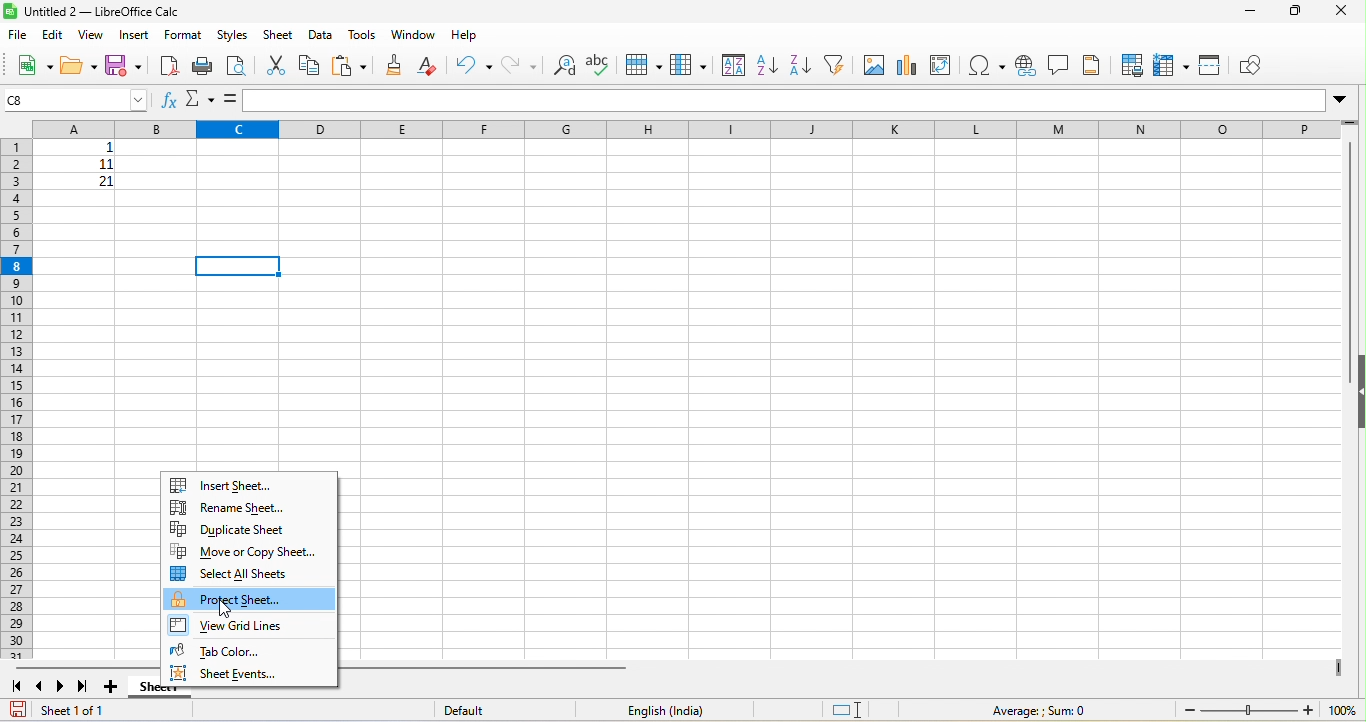 The height and width of the screenshot is (722, 1366). I want to click on column, so click(688, 64).